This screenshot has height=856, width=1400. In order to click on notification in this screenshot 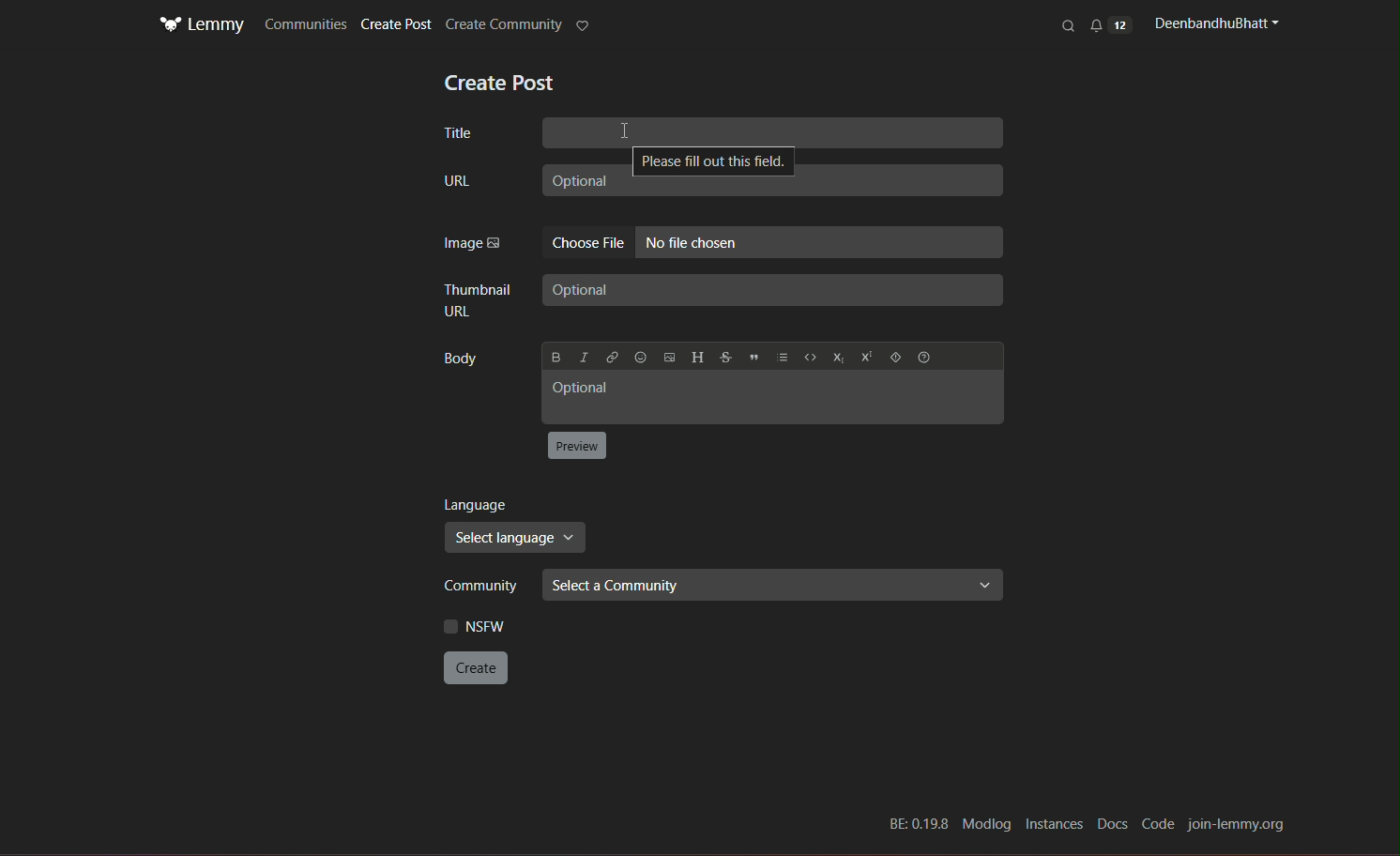, I will do `click(1110, 24)`.